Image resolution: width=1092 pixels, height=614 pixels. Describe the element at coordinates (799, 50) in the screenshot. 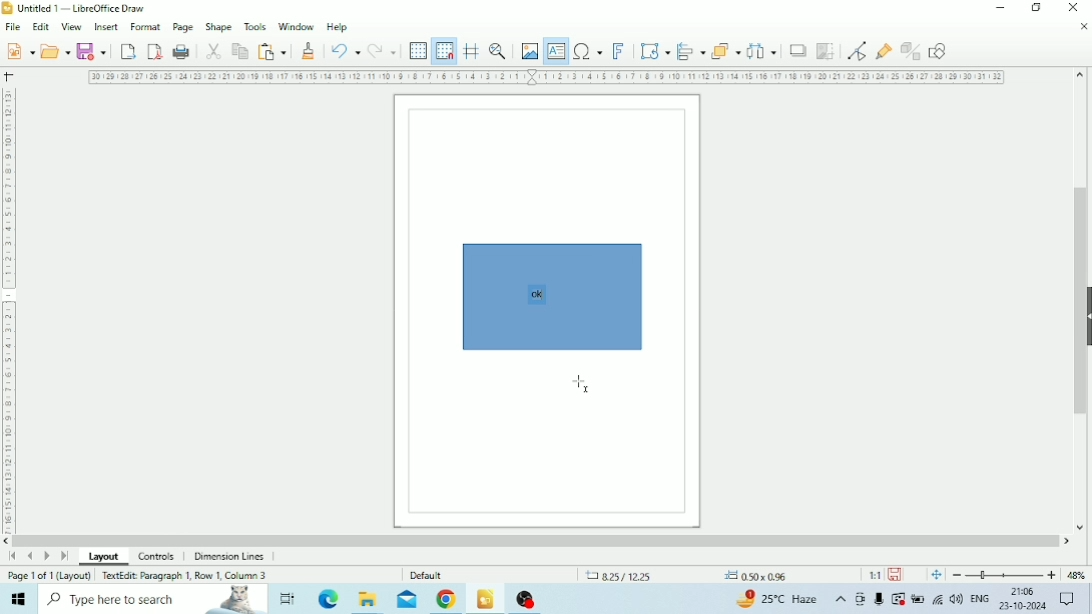

I see `Shadow` at that location.